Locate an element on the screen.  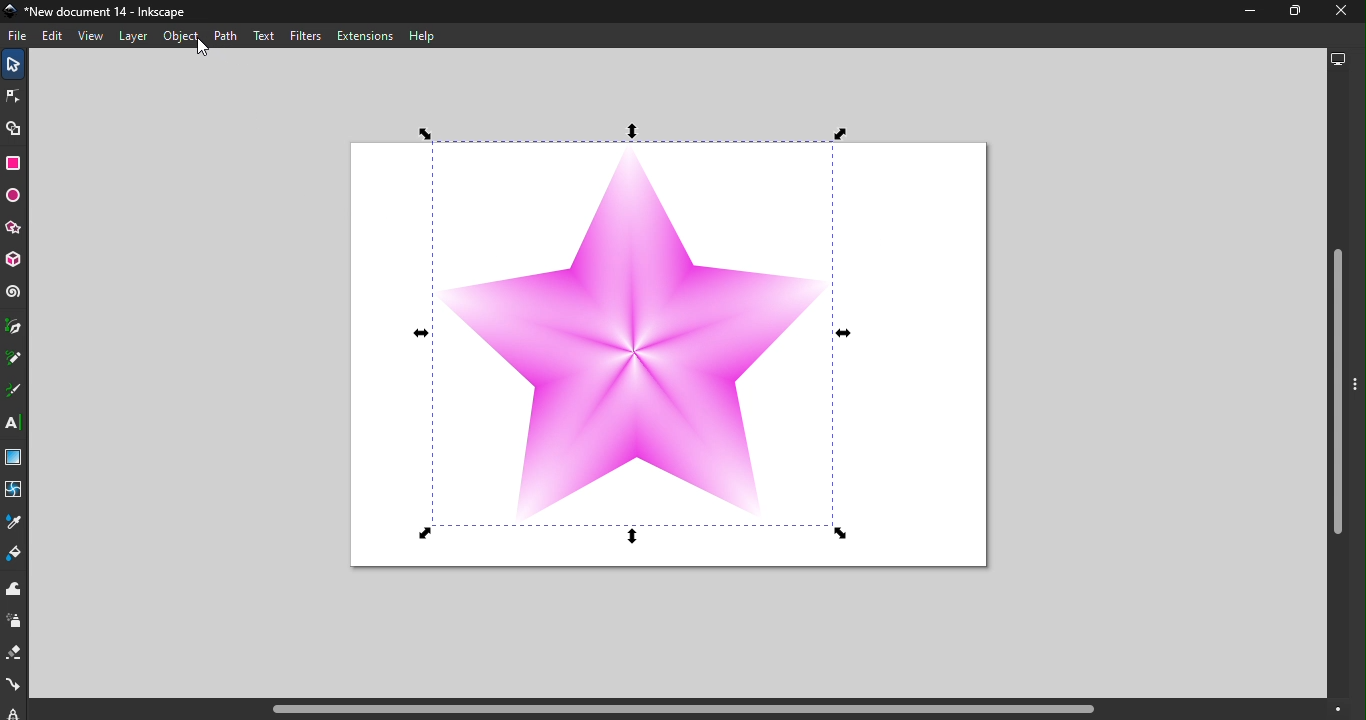
Paint bucket tool is located at coordinates (19, 551).